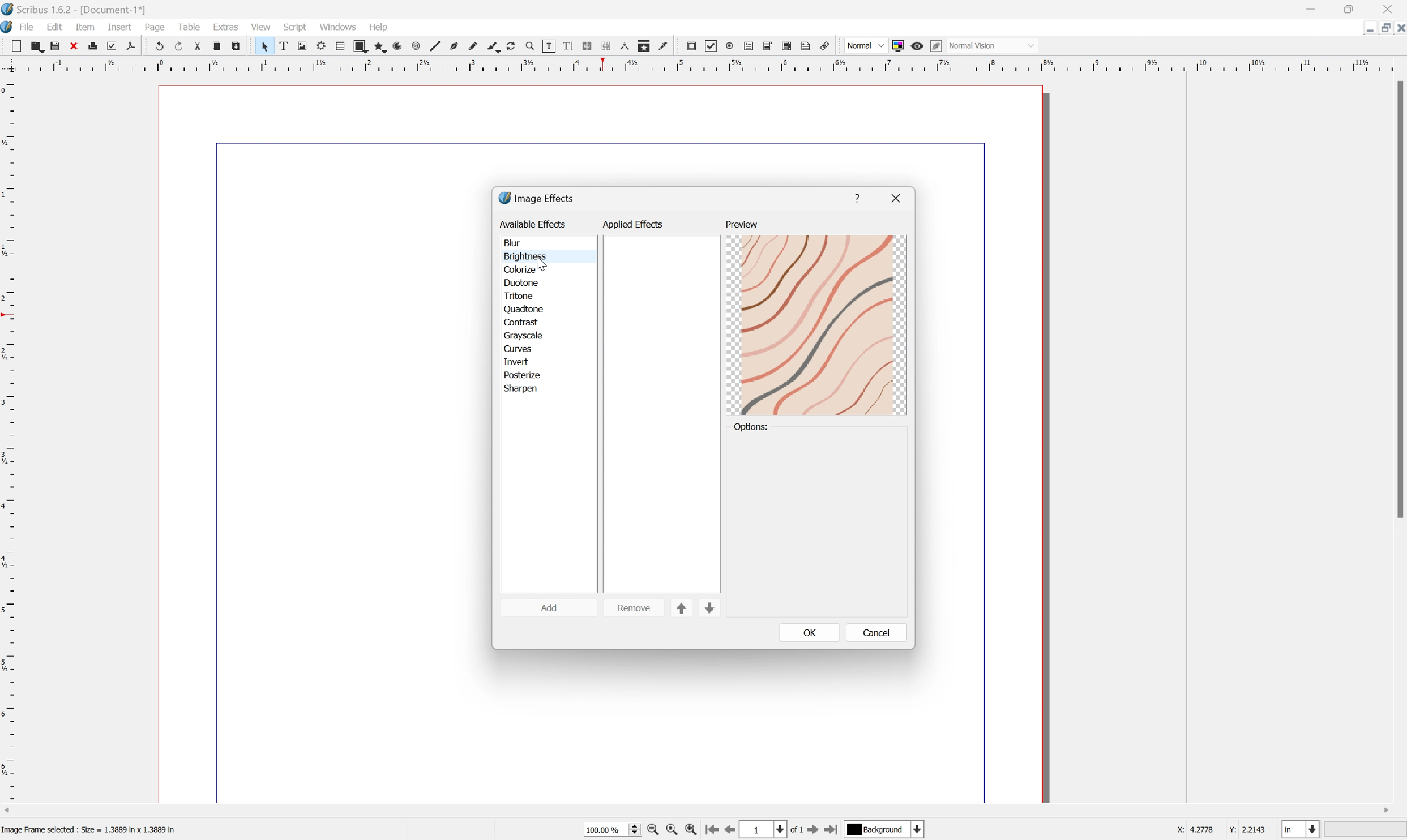 The height and width of the screenshot is (840, 1407). Describe the element at coordinates (994, 46) in the screenshot. I see `normal vision` at that location.